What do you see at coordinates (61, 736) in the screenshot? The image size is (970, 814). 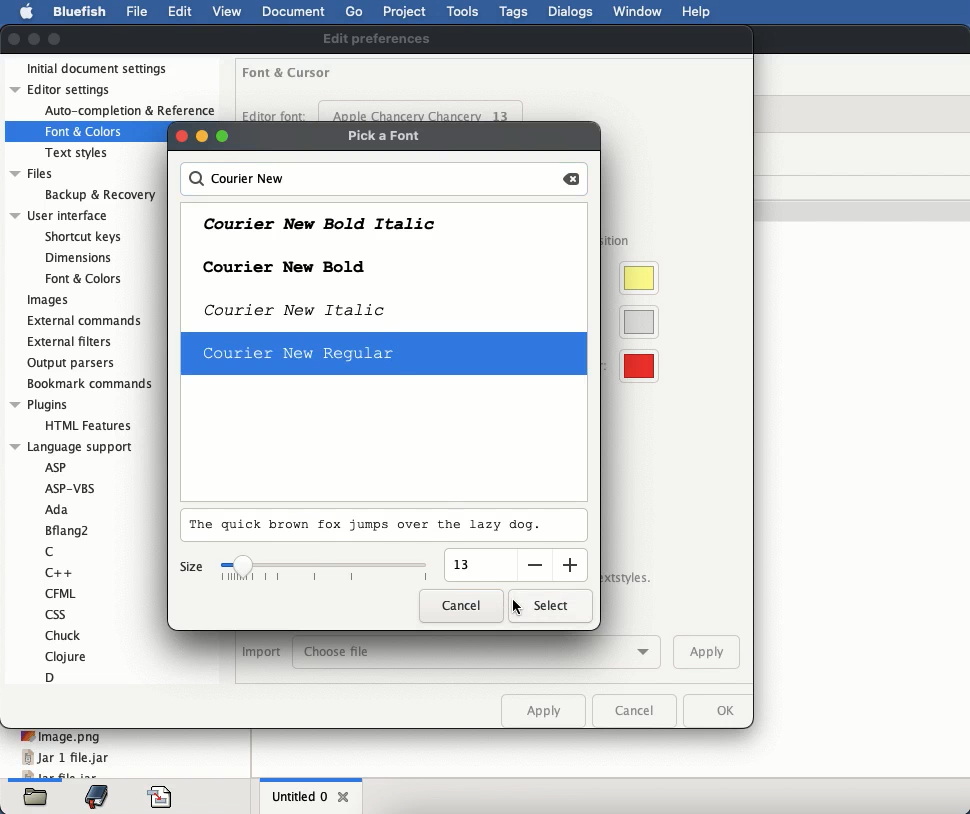 I see `image` at bounding box center [61, 736].